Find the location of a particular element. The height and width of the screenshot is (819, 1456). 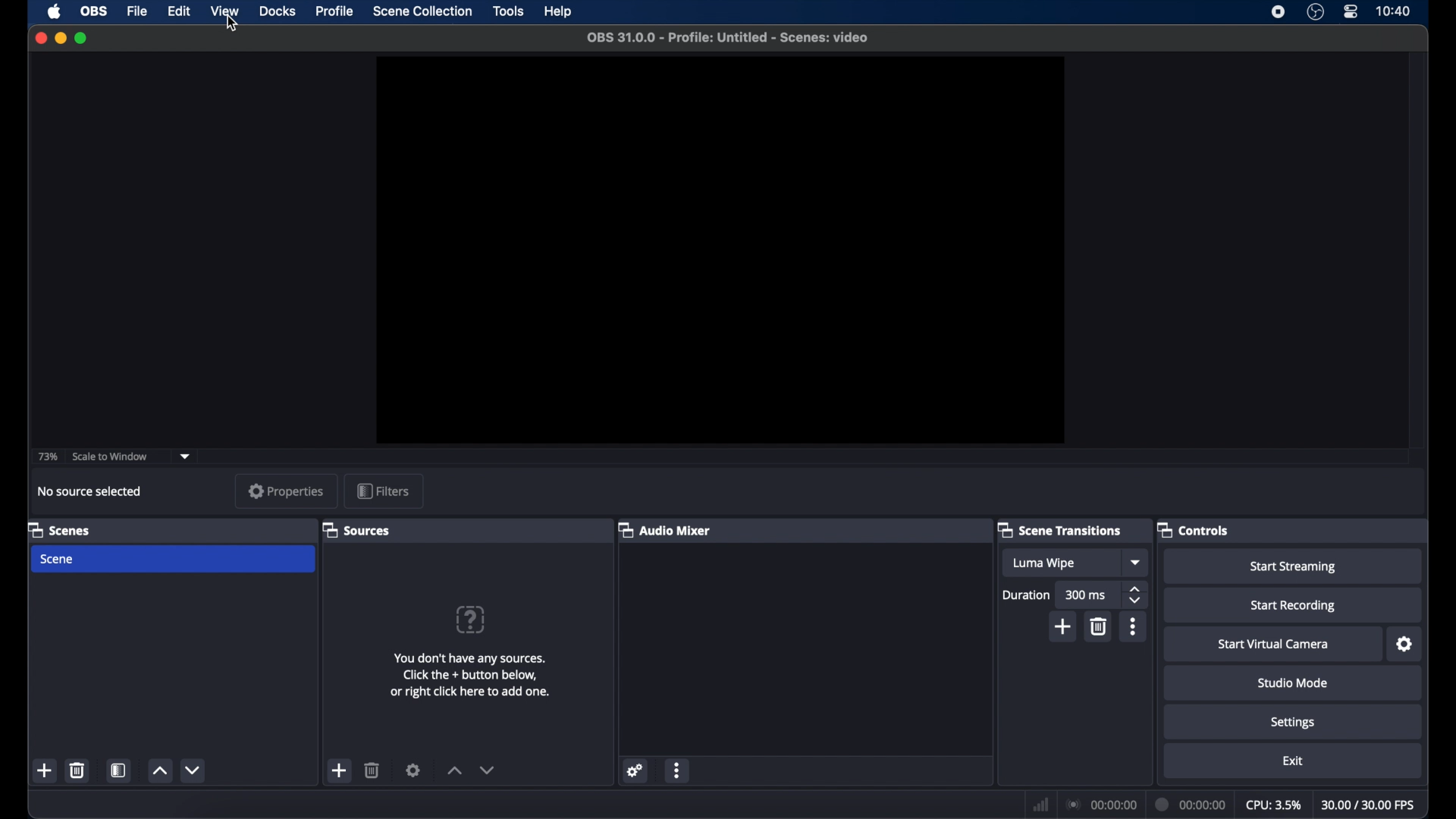

help is located at coordinates (560, 12).